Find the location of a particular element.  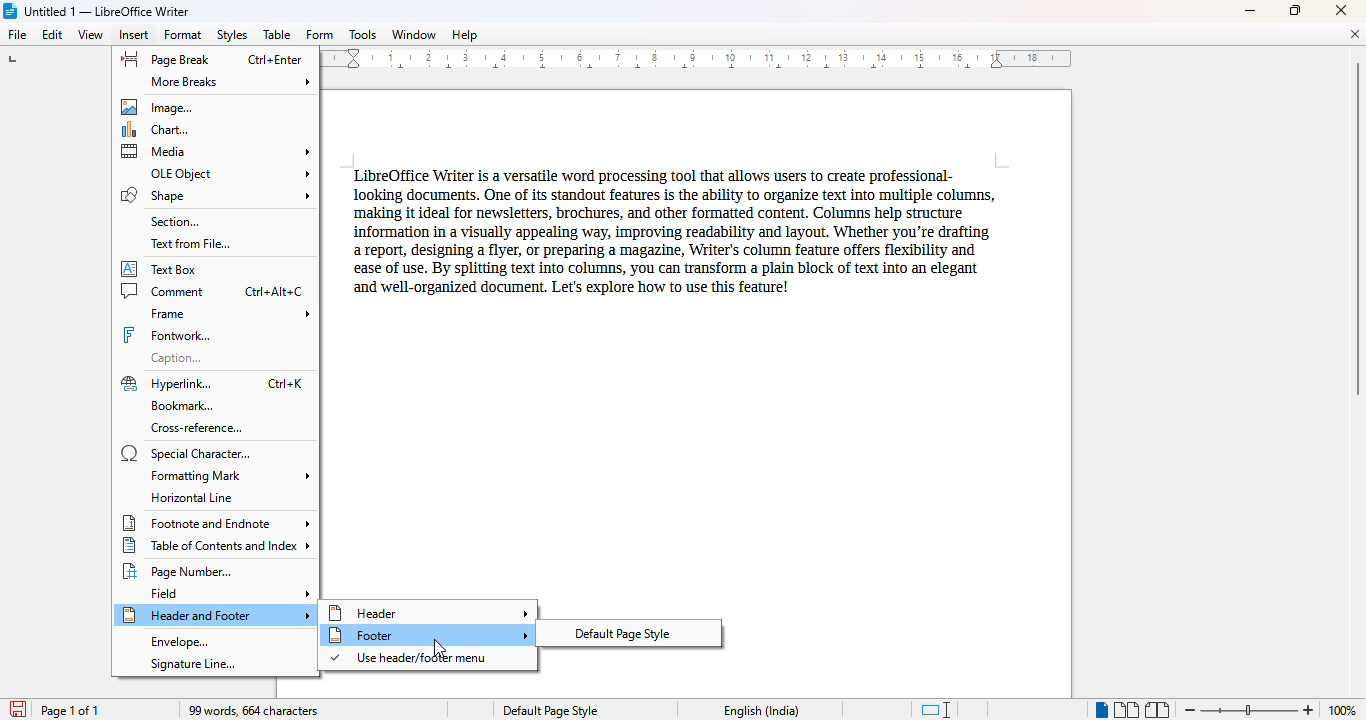

page number is located at coordinates (182, 571).